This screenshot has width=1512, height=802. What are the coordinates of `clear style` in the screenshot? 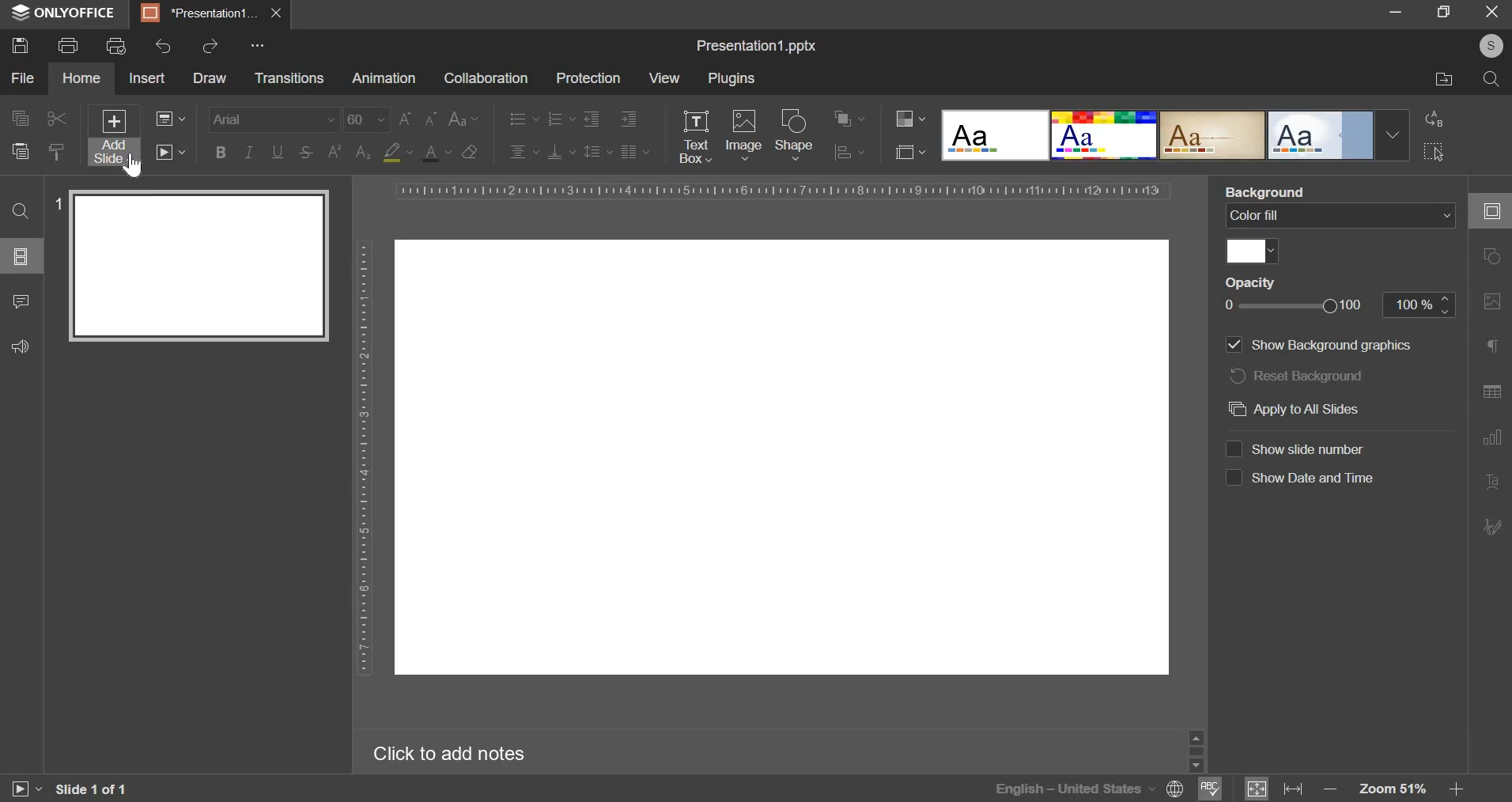 It's located at (470, 151).